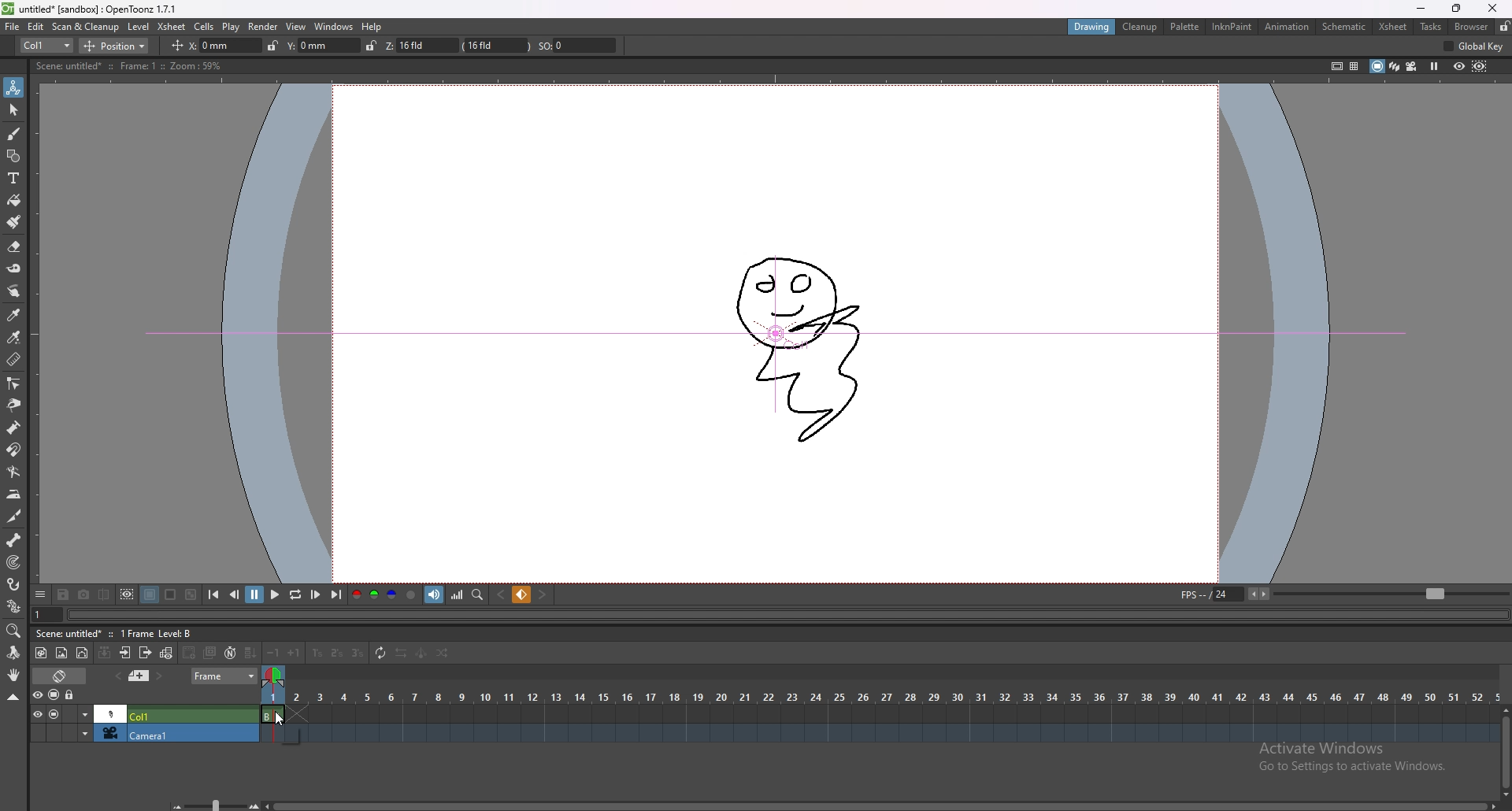 The height and width of the screenshot is (811, 1512). I want to click on file, so click(13, 26).